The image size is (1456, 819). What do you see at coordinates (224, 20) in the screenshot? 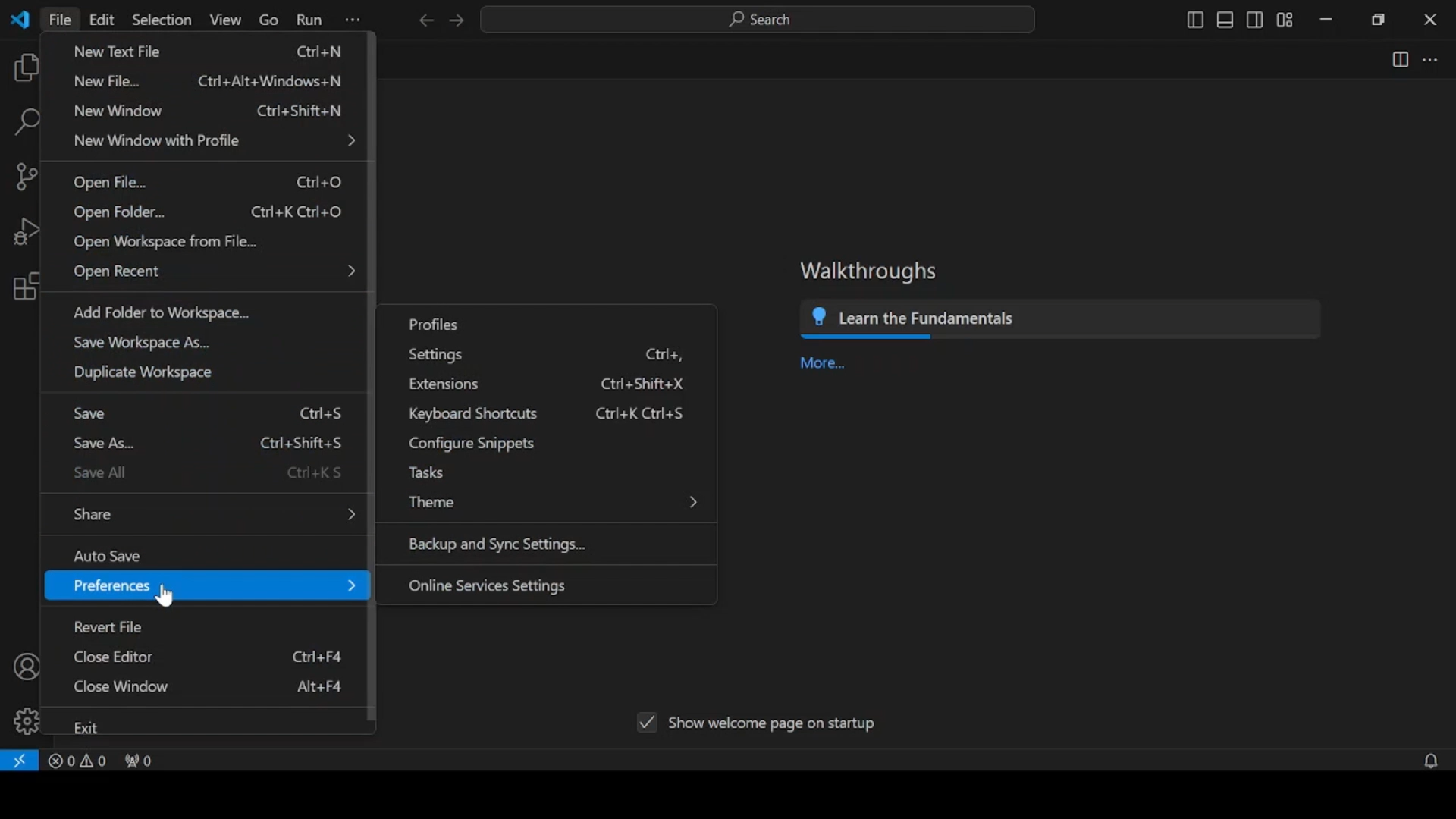
I see `view` at bounding box center [224, 20].